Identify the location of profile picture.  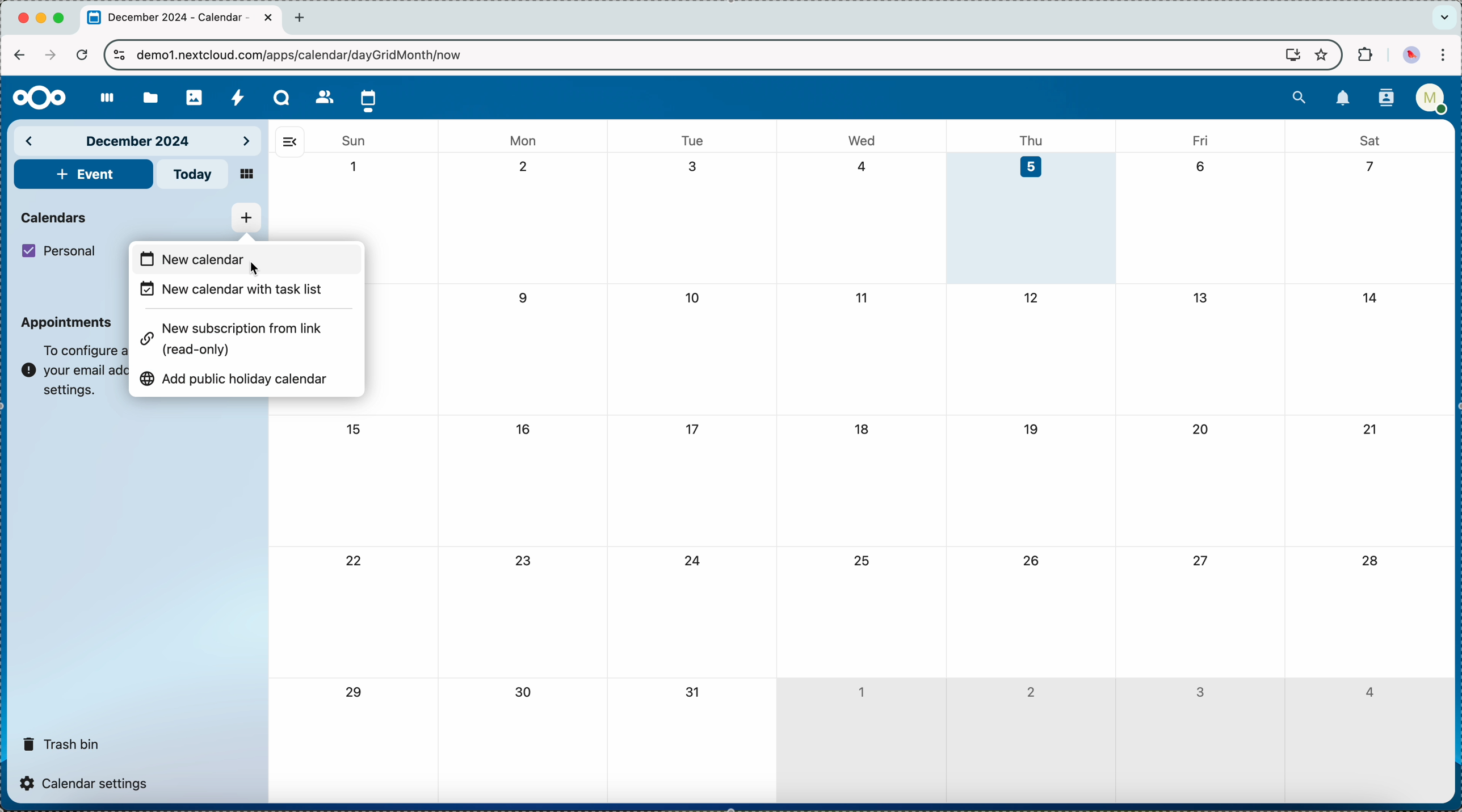
(1411, 54).